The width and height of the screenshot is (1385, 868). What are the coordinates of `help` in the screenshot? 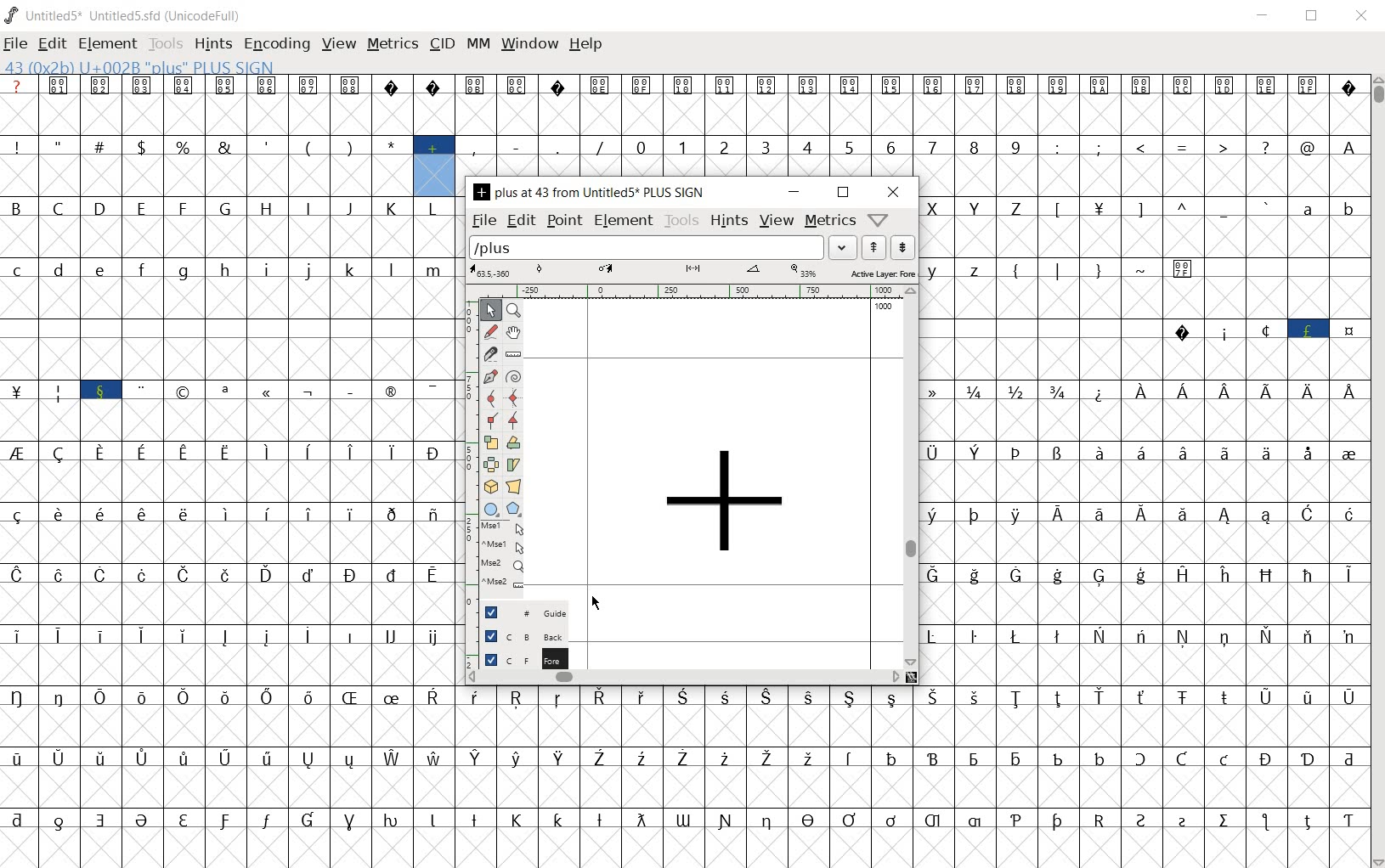 It's located at (586, 45).